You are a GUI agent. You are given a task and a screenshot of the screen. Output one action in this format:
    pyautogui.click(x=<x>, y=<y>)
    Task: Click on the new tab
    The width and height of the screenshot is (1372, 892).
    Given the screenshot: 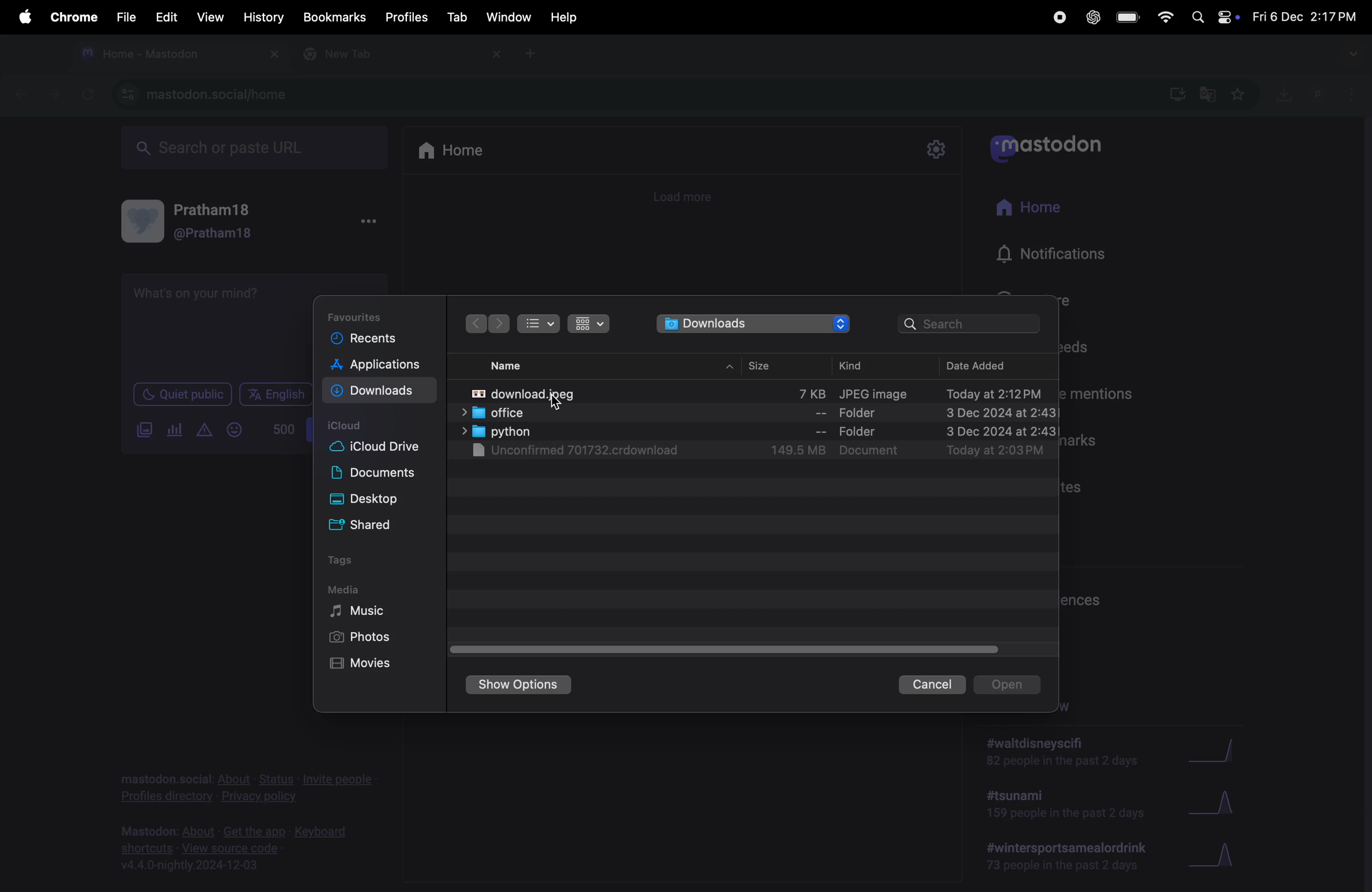 What is the action you would take?
    pyautogui.click(x=397, y=55)
    